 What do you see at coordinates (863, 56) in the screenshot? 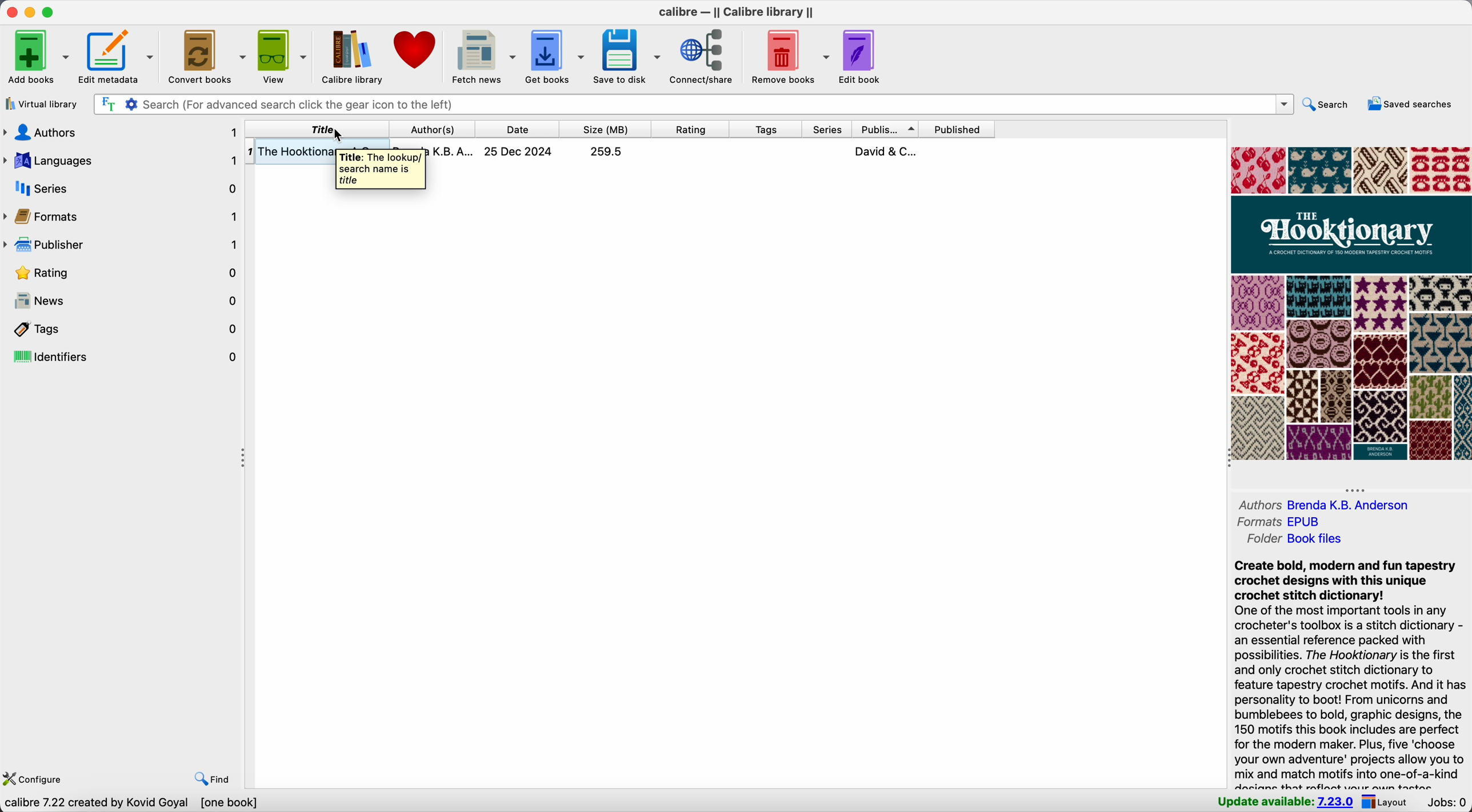
I see `edit book` at bounding box center [863, 56].